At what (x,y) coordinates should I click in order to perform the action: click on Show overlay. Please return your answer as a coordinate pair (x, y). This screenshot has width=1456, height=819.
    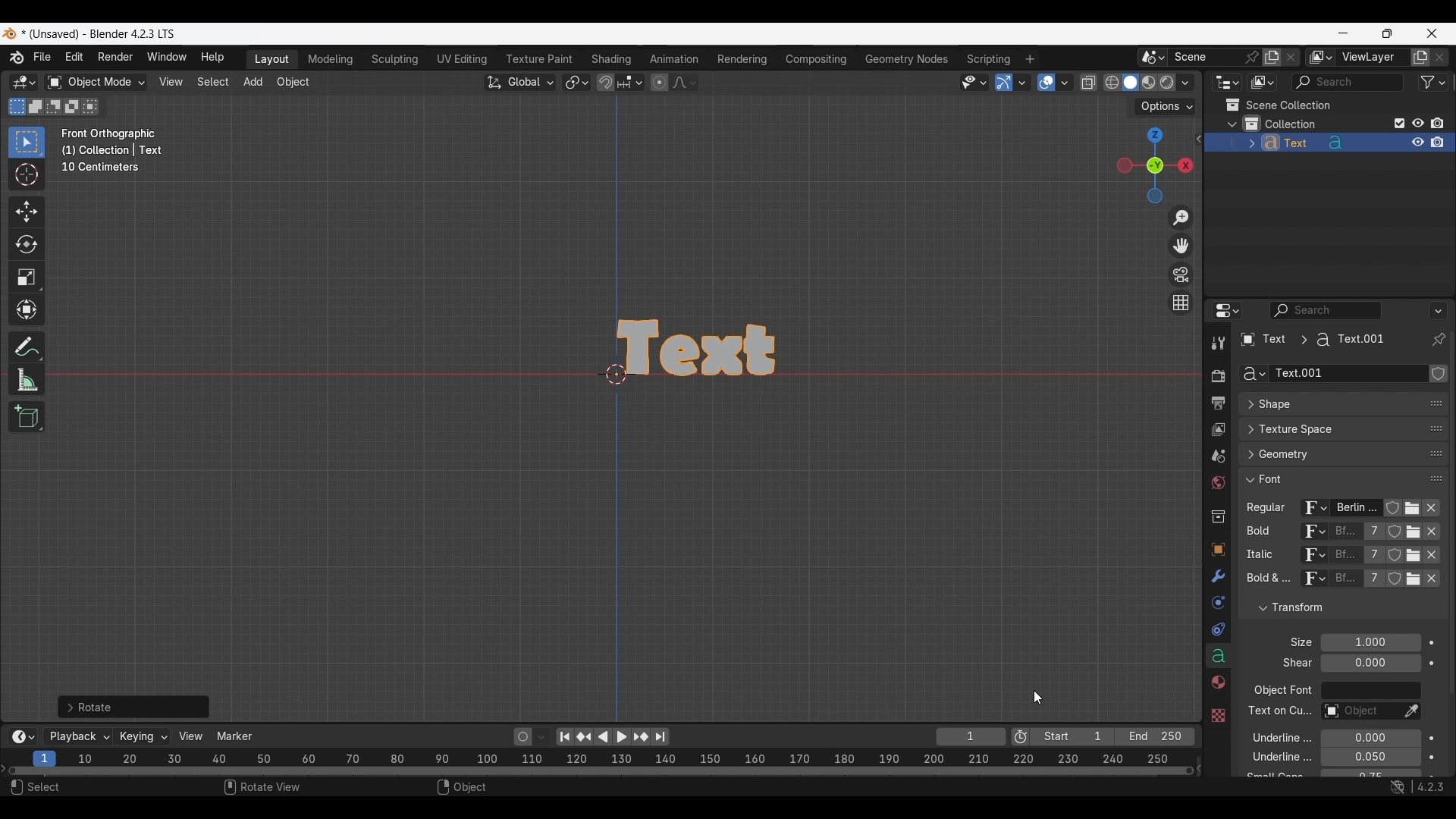
    Looking at the image, I should click on (1046, 83).